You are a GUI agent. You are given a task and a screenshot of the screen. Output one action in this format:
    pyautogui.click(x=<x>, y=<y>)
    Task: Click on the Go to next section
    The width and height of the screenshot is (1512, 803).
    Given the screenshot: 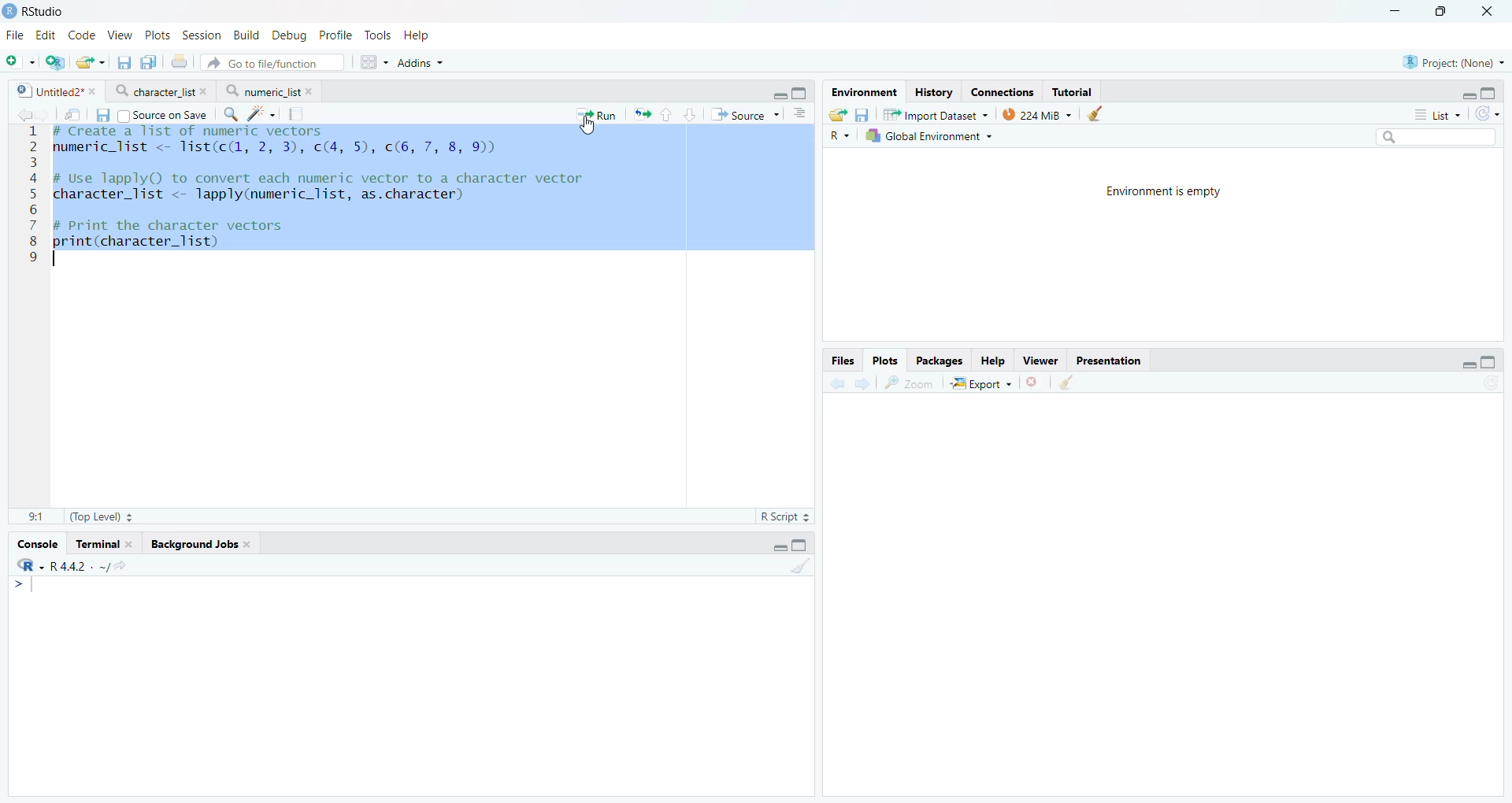 What is the action you would take?
    pyautogui.click(x=691, y=113)
    